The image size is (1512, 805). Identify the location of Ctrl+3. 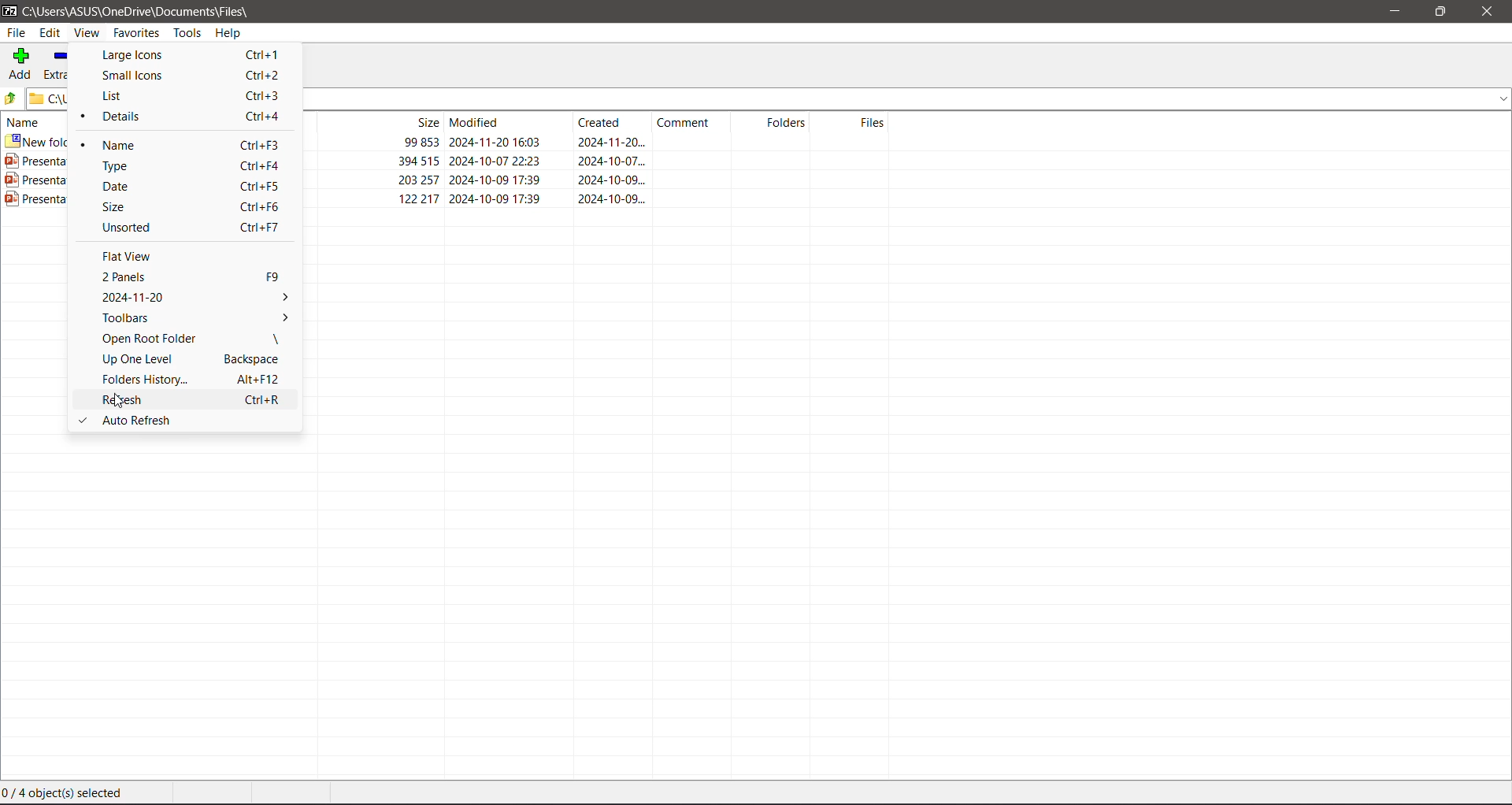
(263, 95).